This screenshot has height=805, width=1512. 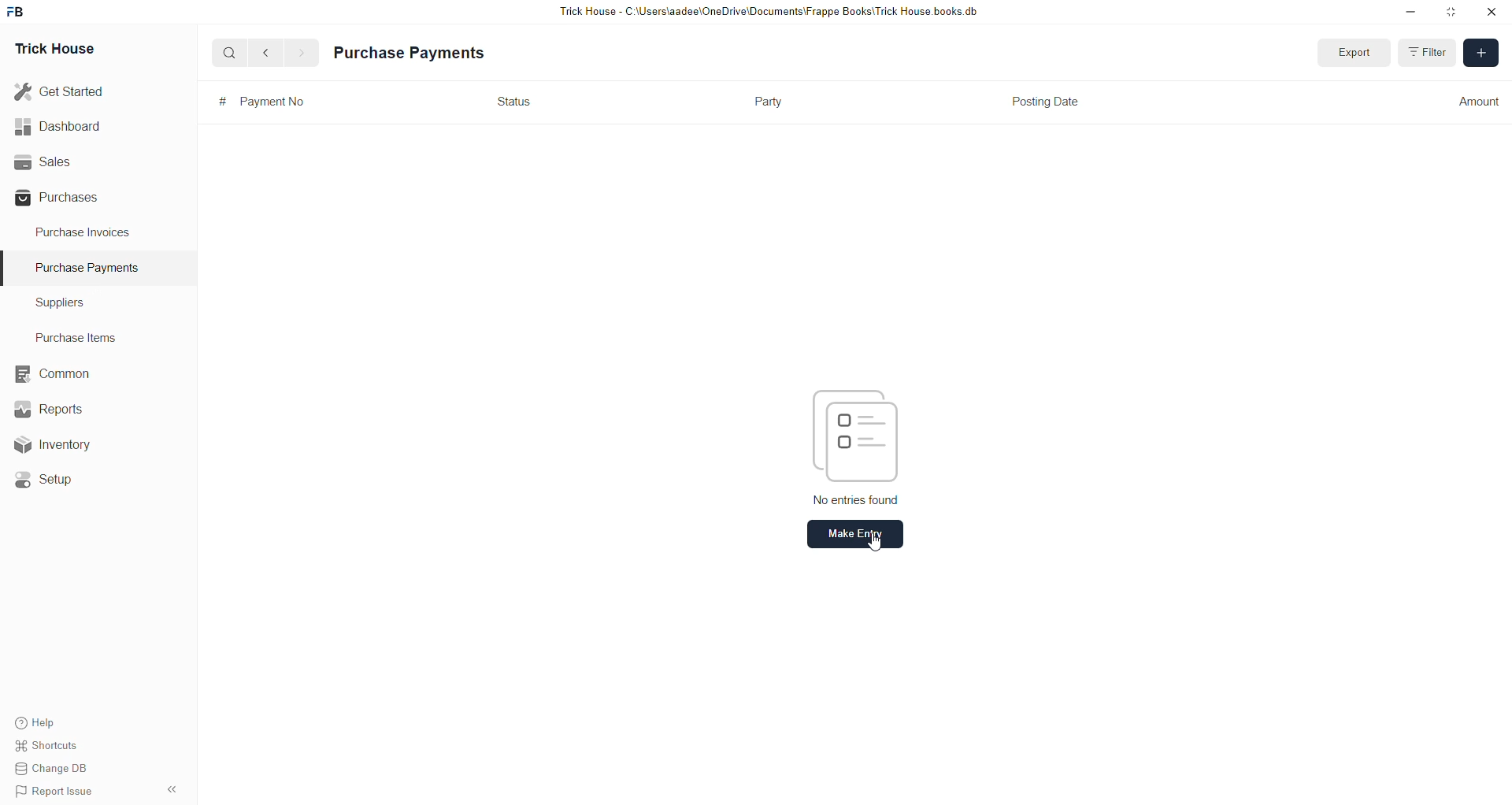 I want to click on Suppliers, so click(x=77, y=304).